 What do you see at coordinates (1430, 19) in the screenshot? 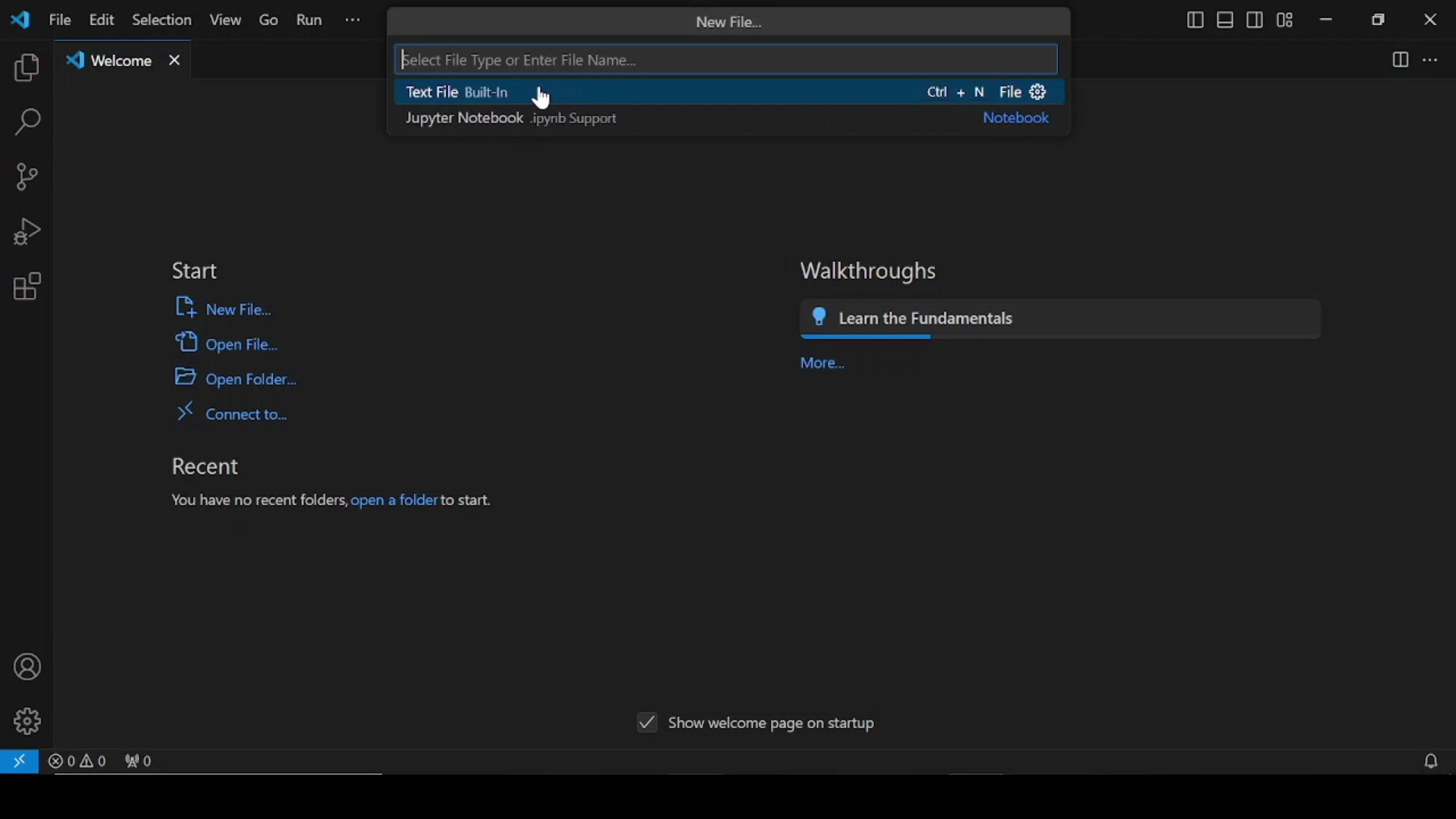
I see `close` at bounding box center [1430, 19].